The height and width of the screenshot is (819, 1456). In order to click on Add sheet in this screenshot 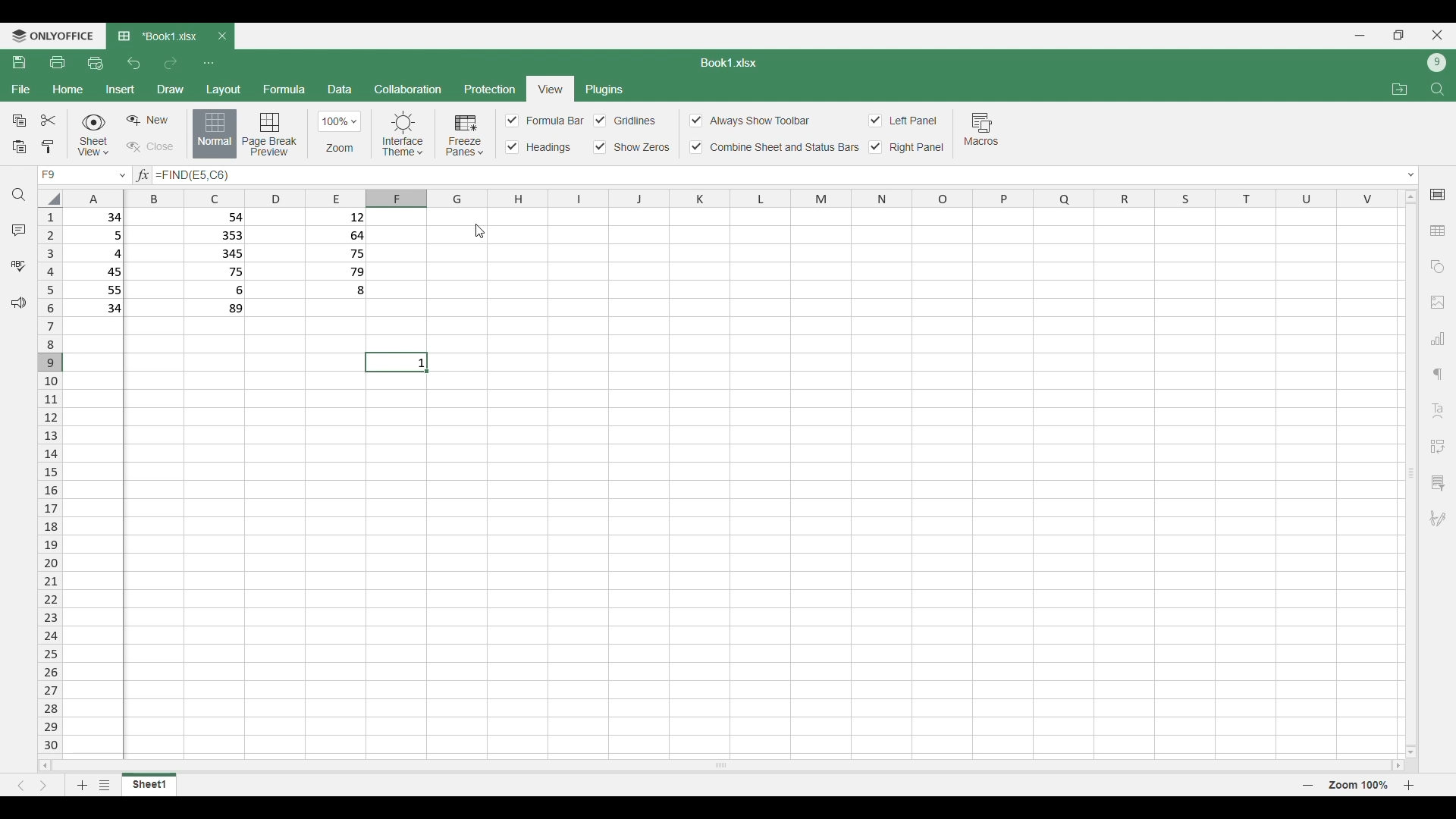, I will do `click(83, 786)`.